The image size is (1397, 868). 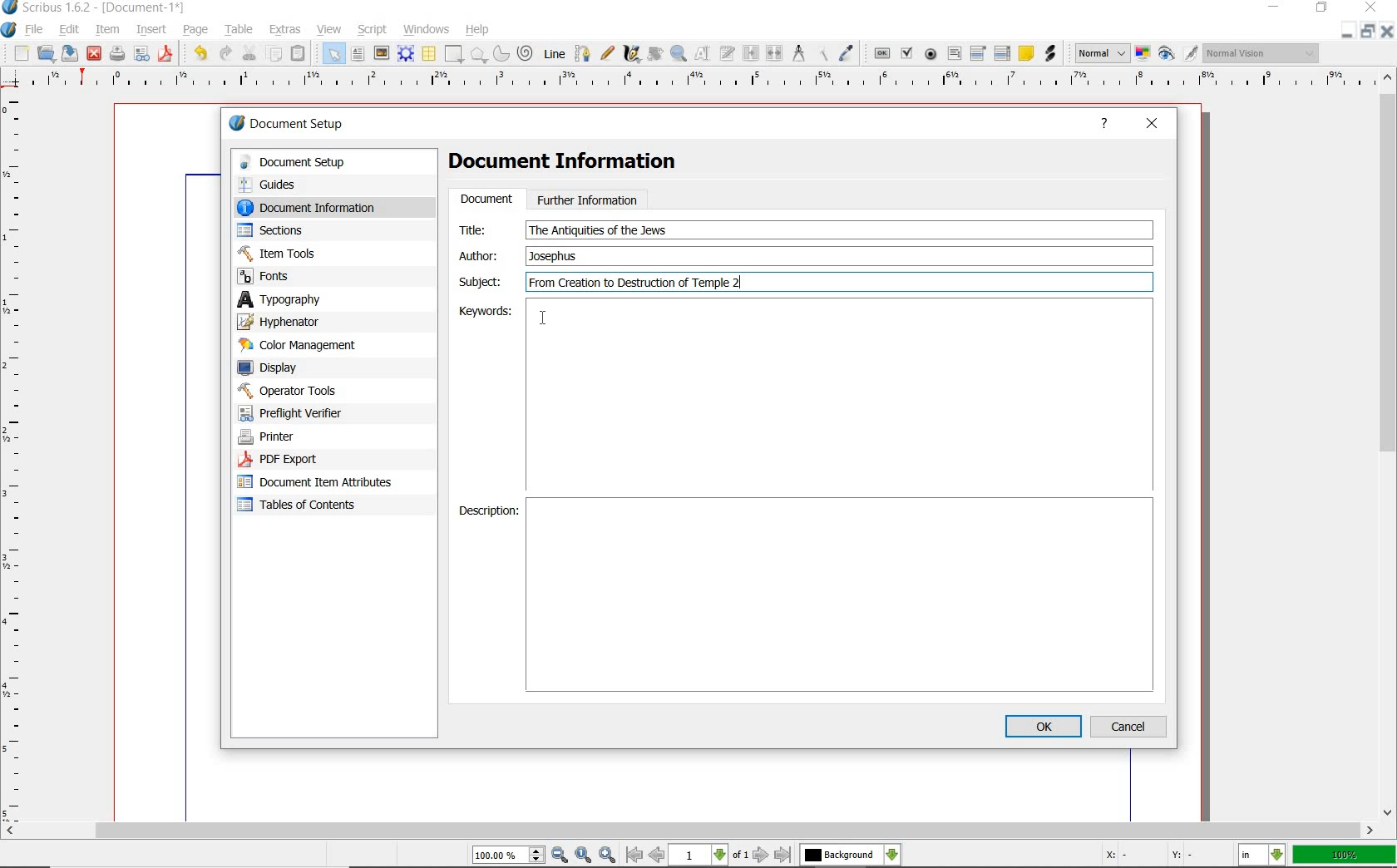 I want to click on cursor, so click(x=542, y=319).